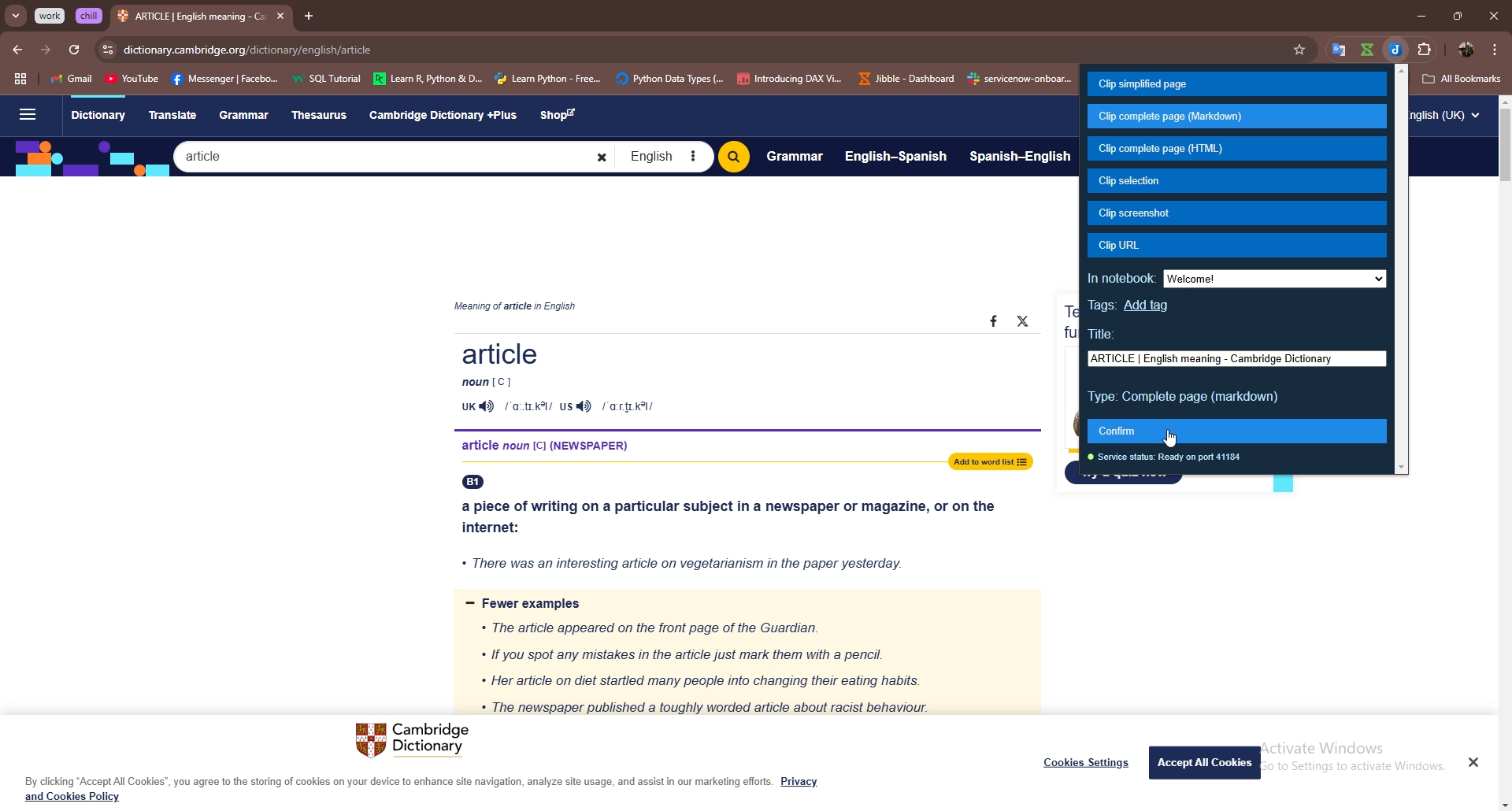 The width and height of the screenshot is (1512, 811). Describe the element at coordinates (1397, 48) in the screenshot. I see `joplin` at that location.